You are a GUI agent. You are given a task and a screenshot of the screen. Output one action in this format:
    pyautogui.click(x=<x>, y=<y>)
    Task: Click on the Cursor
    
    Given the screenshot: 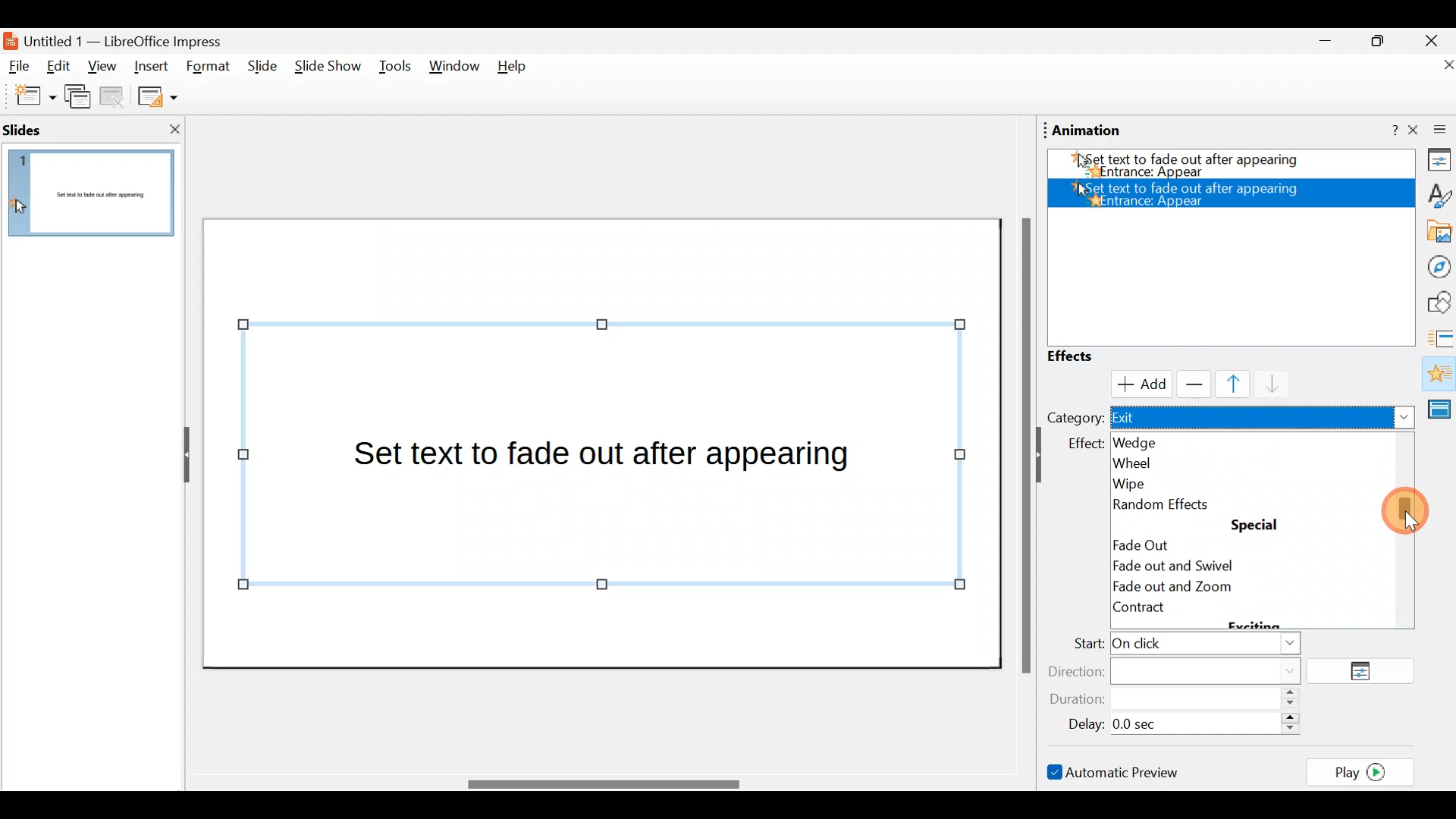 What is the action you would take?
    pyautogui.click(x=1409, y=506)
    